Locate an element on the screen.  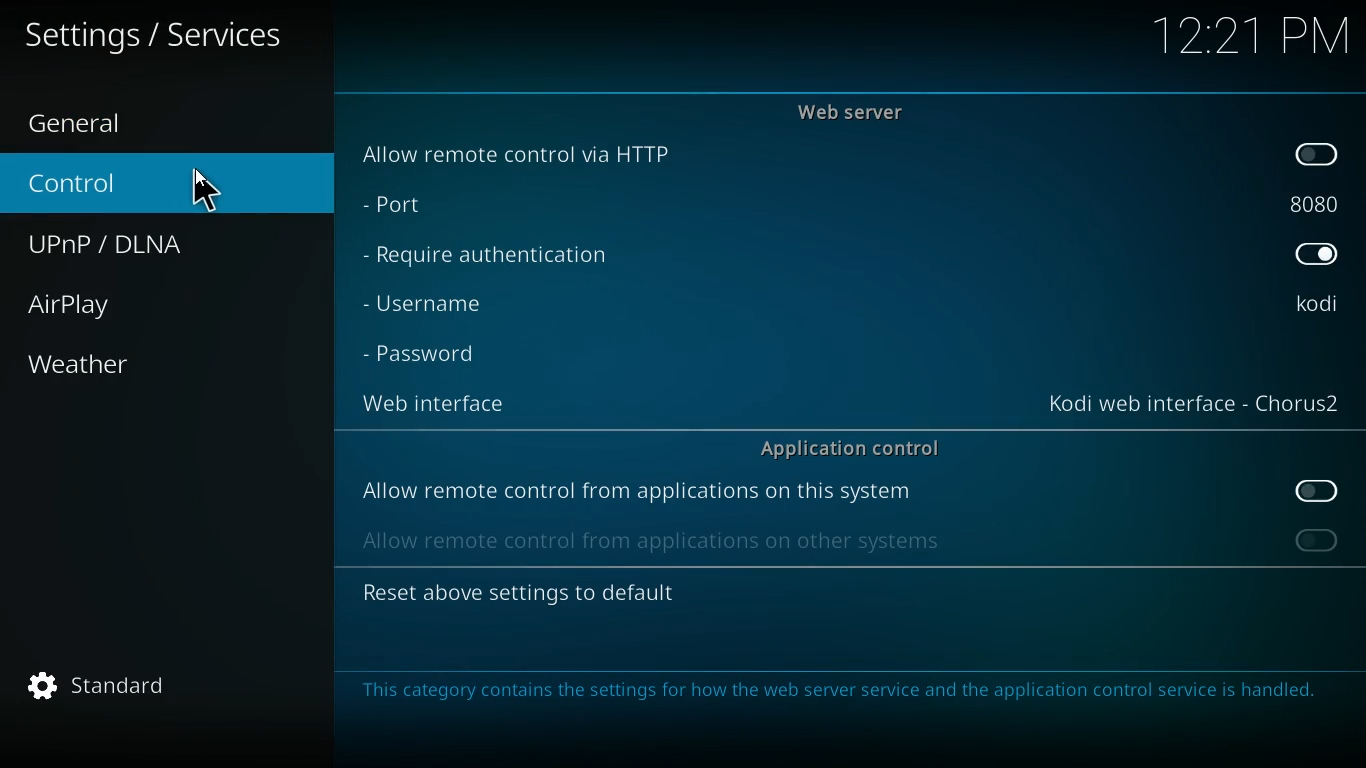
cursor is located at coordinates (202, 190).